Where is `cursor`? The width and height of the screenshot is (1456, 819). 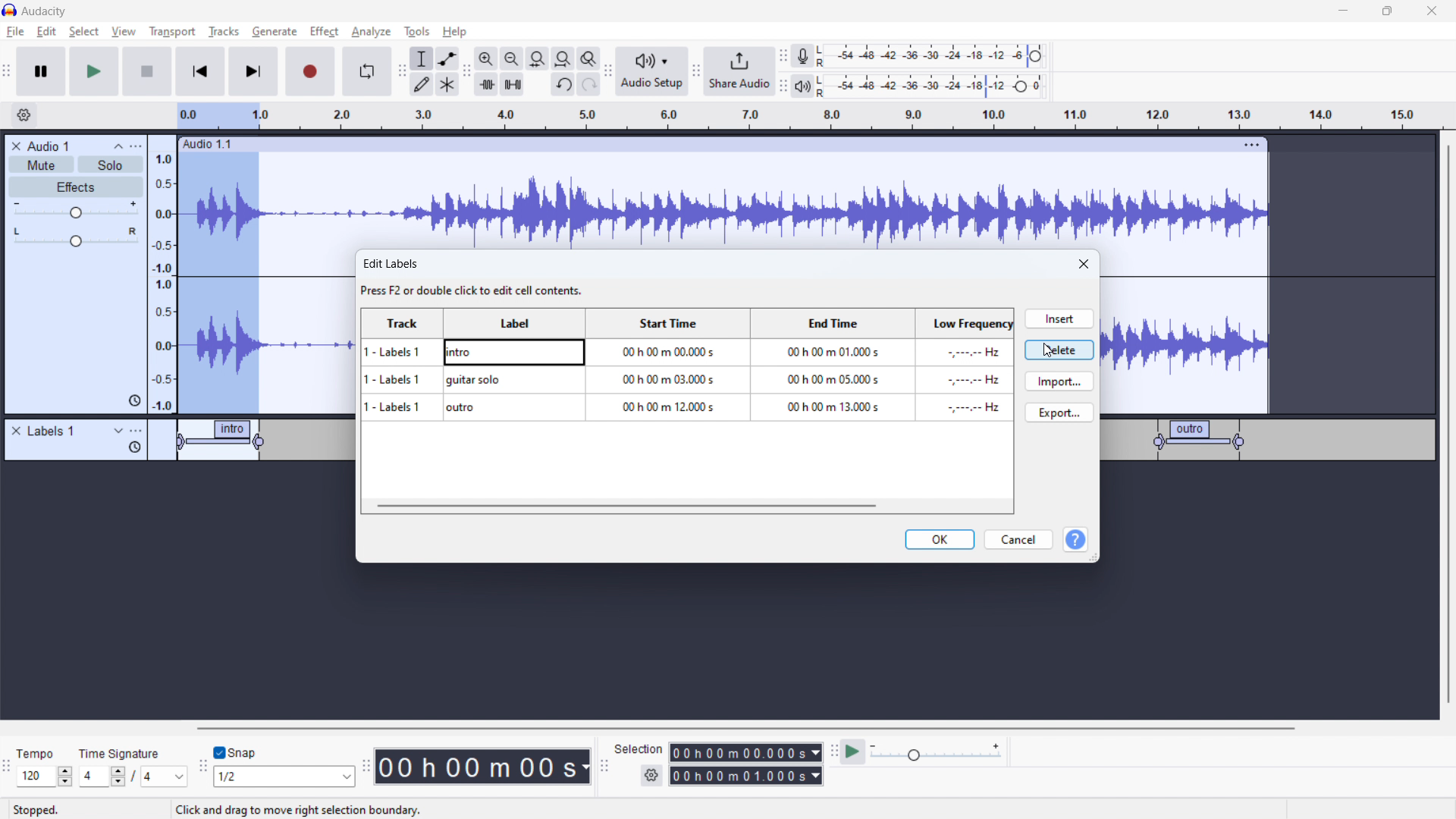
cursor is located at coordinates (1047, 353).